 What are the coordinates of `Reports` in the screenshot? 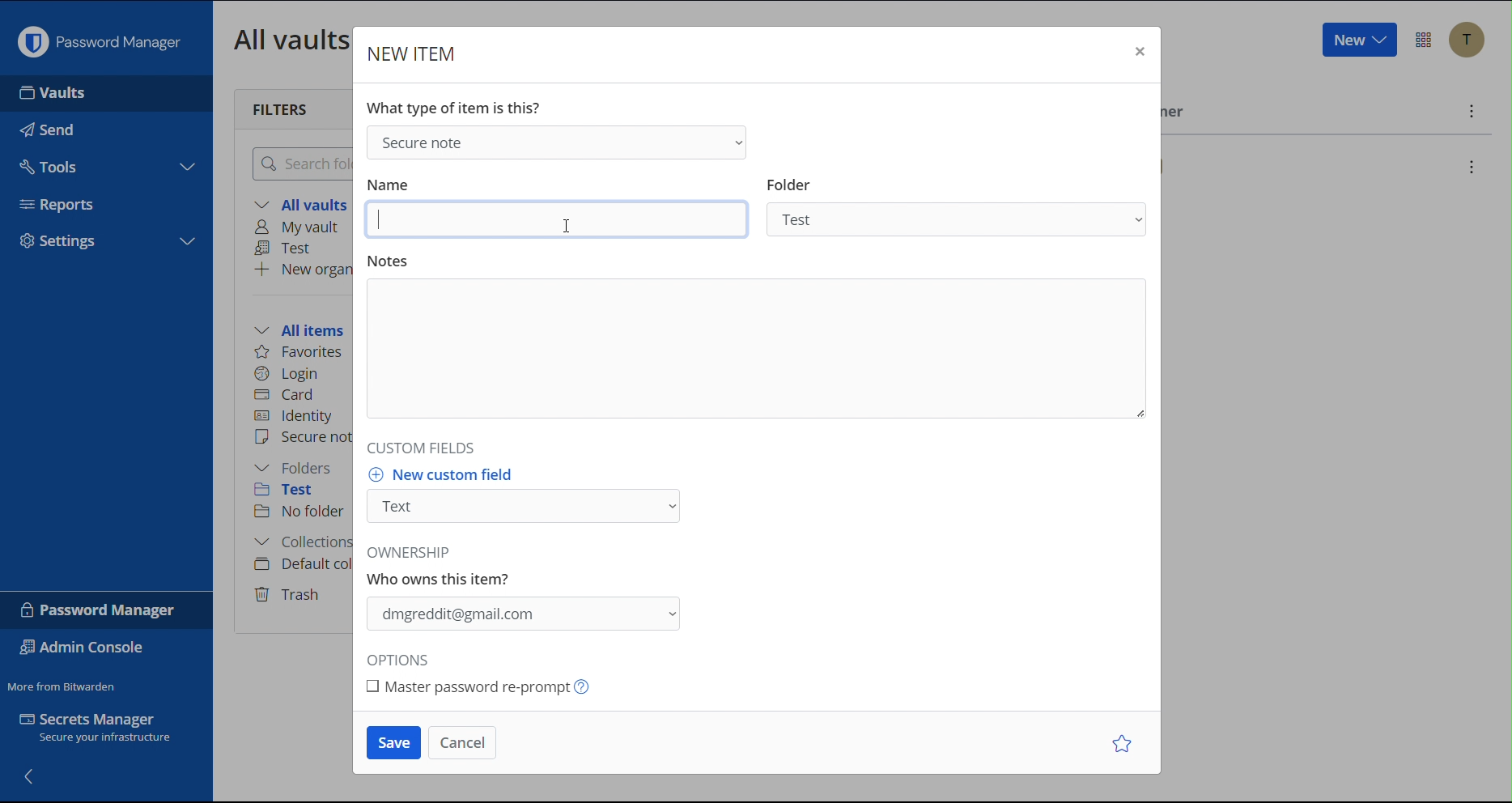 It's located at (63, 202).